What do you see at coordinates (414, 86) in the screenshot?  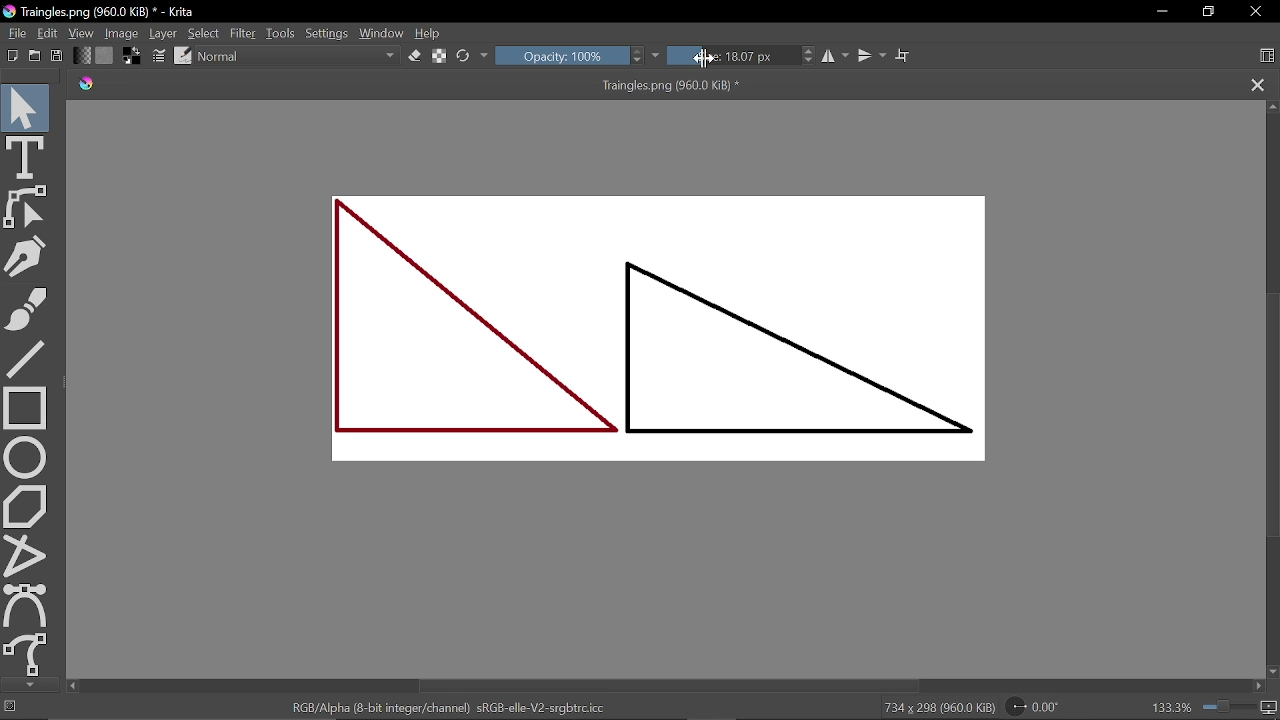 I see `Traingles.png (960.0 KiB) *` at bounding box center [414, 86].